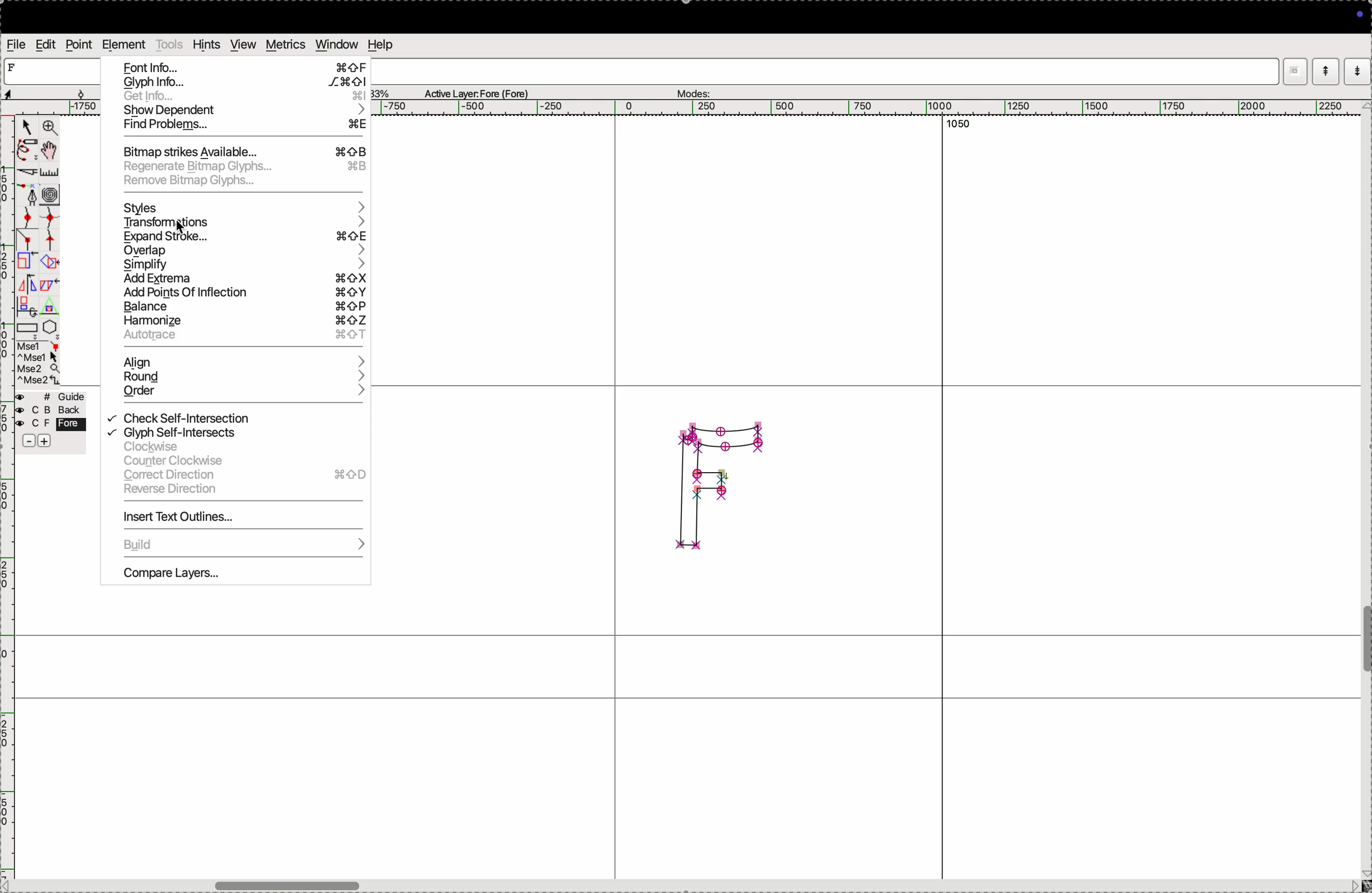 The image size is (1372, 893). What do you see at coordinates (27, 330) in the screenshot?
I see `rectangle` at bounding box center [27, 330].